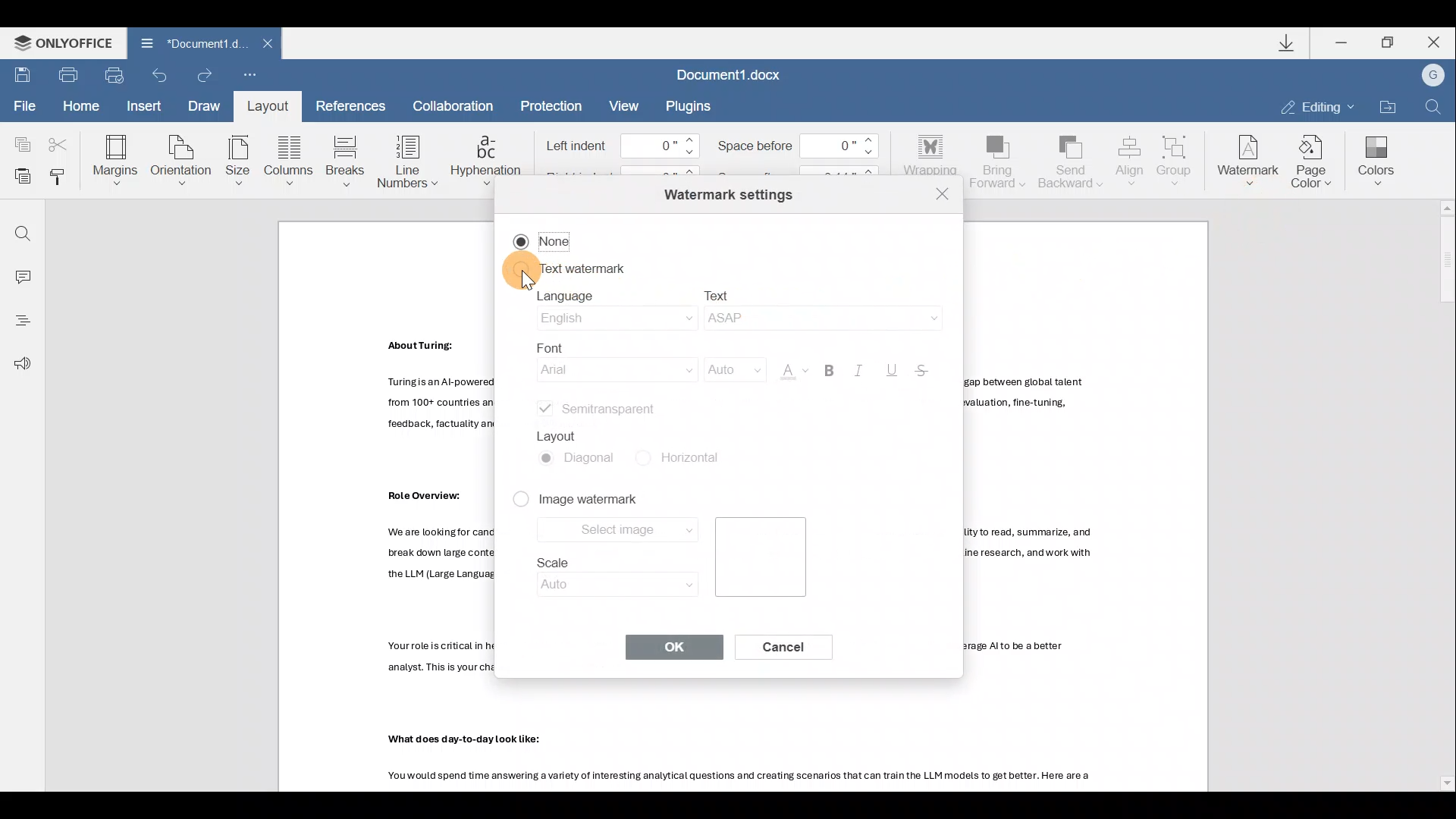 This screenshot has width=1456, height=819. Describe the element at coordinates (271, 43) in the screenshot. I see `Close` at that location.